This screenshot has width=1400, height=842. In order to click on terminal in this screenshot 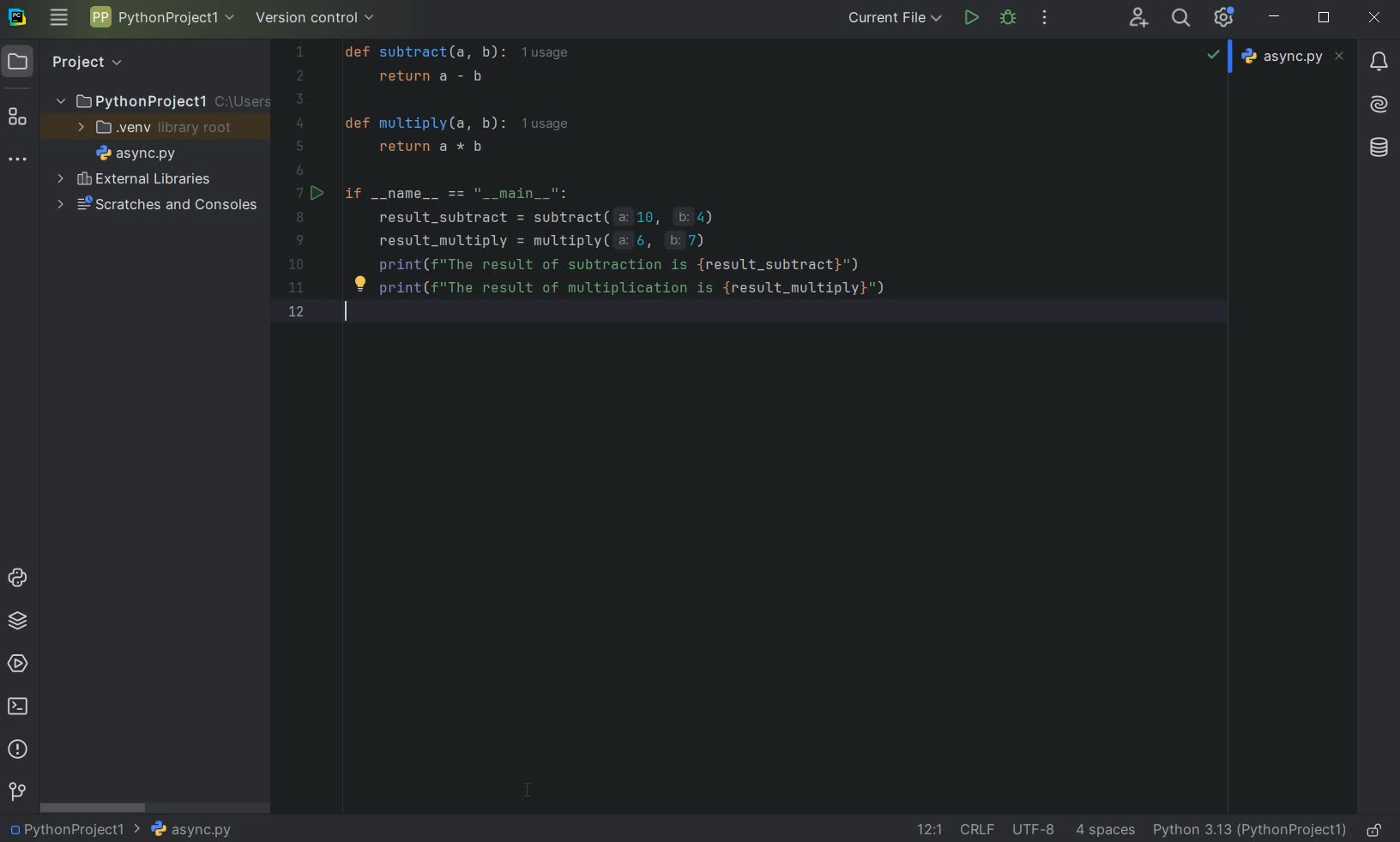, I will do `click(20, 706)`.